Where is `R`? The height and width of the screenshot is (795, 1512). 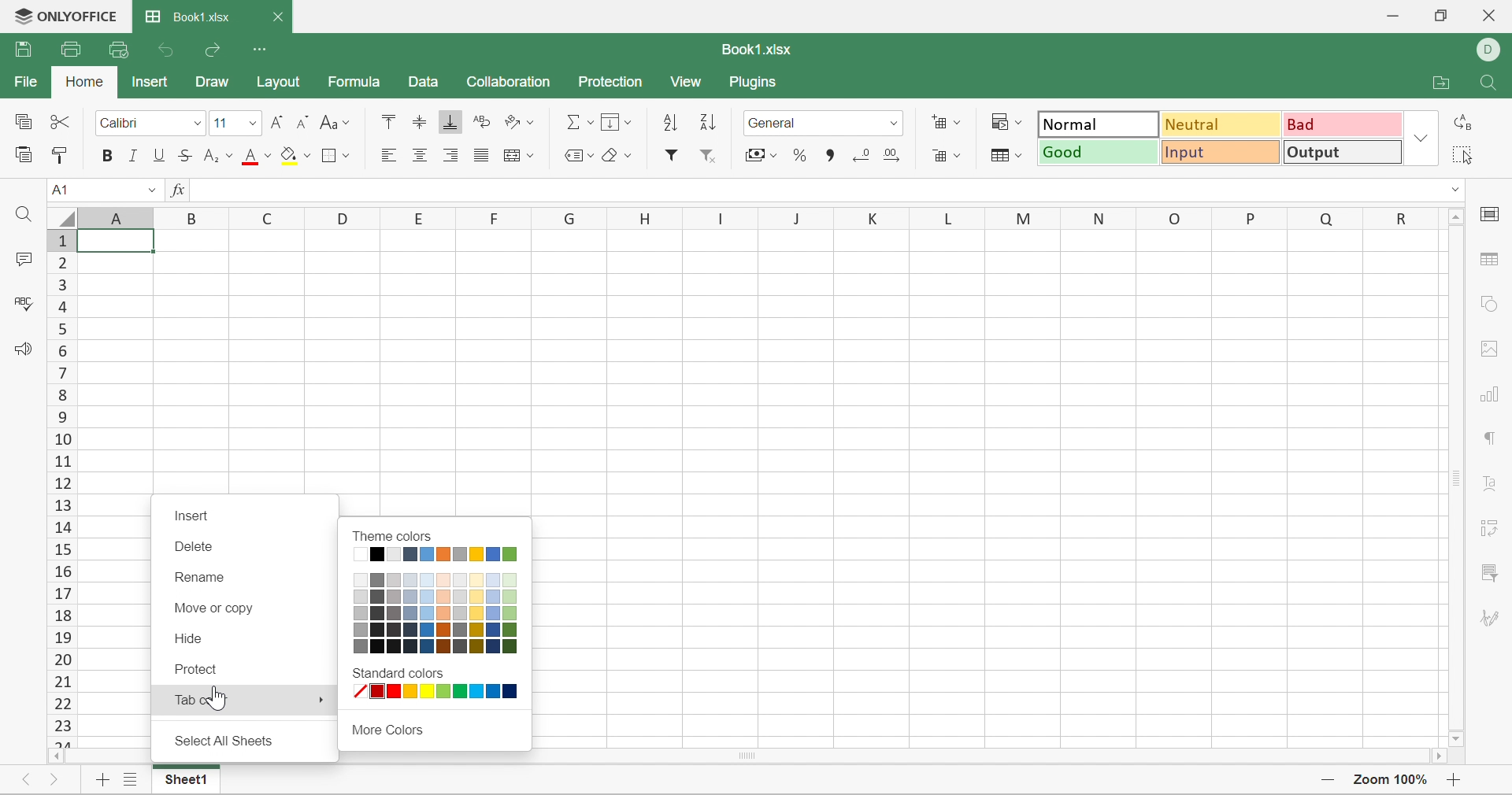
R is located at coordinates (1407, 219).